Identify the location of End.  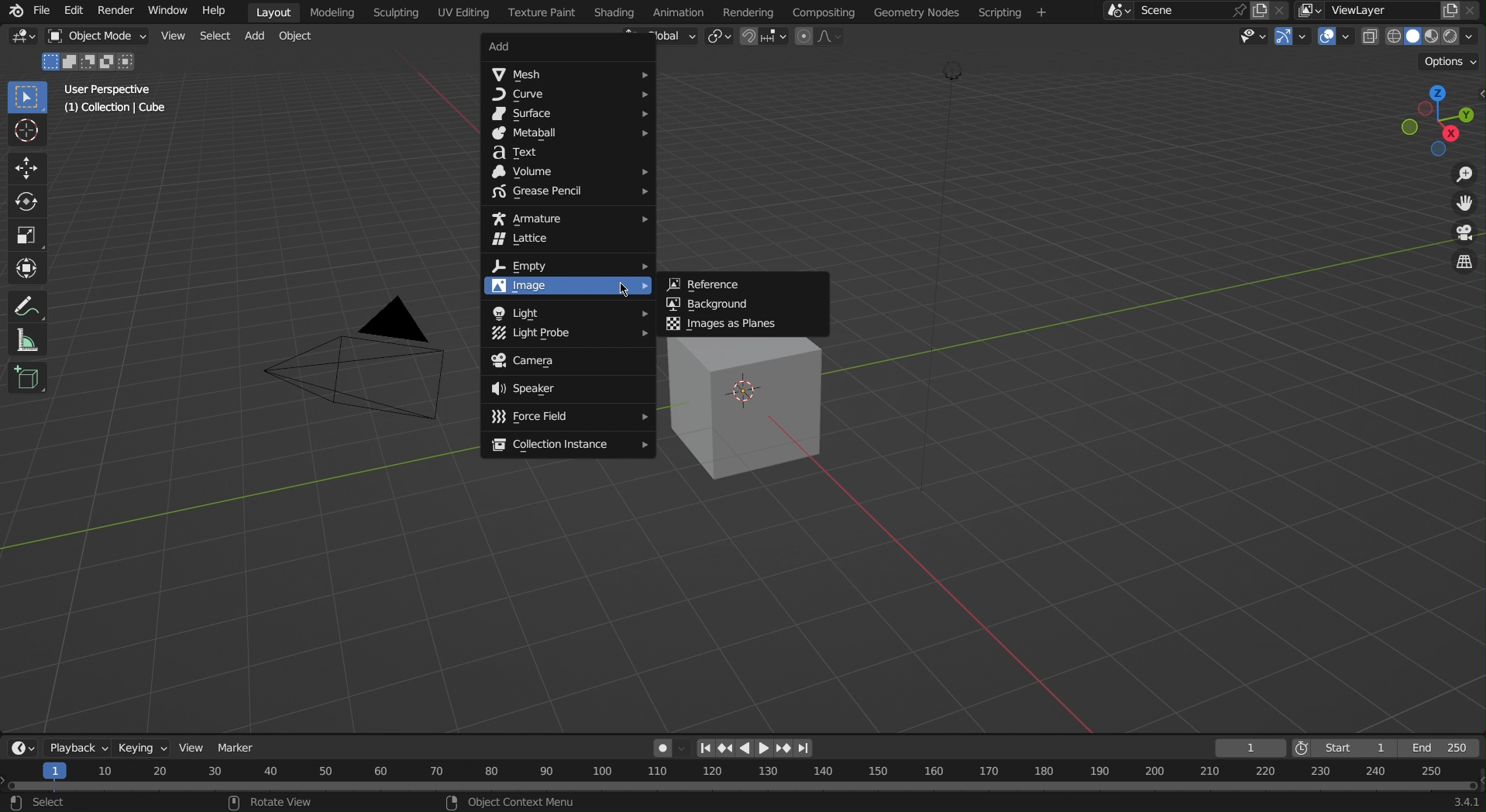
(1443, 744).